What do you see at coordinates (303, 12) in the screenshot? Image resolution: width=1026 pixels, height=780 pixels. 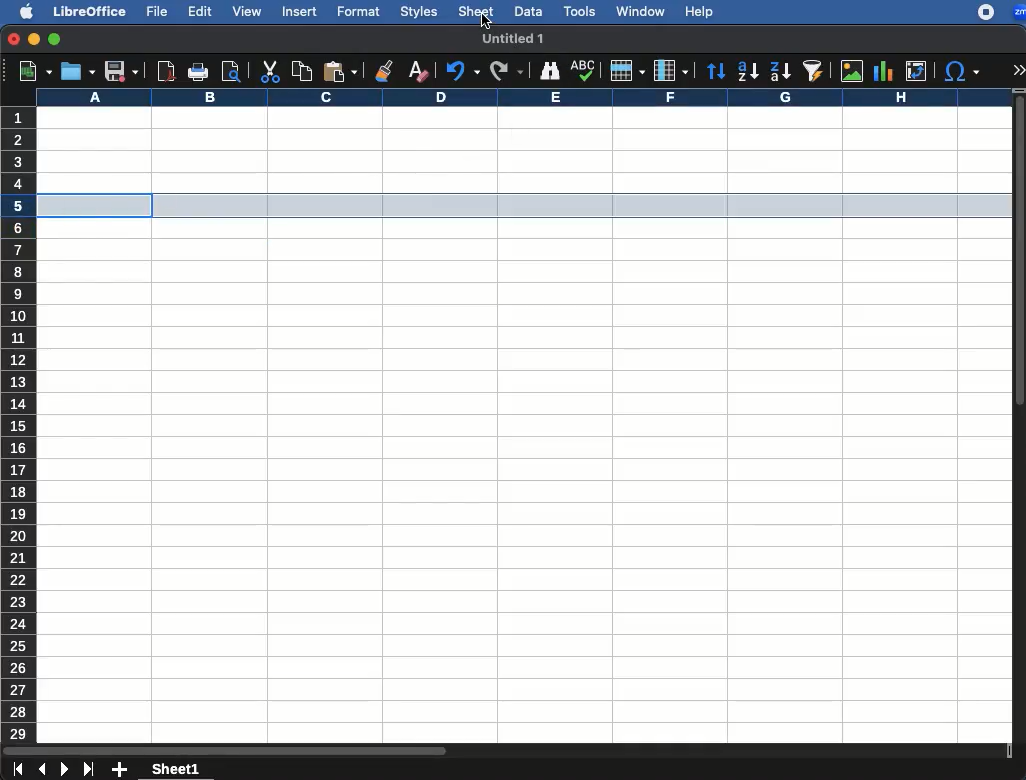 I see `insert` at bounding box center [303, 12].